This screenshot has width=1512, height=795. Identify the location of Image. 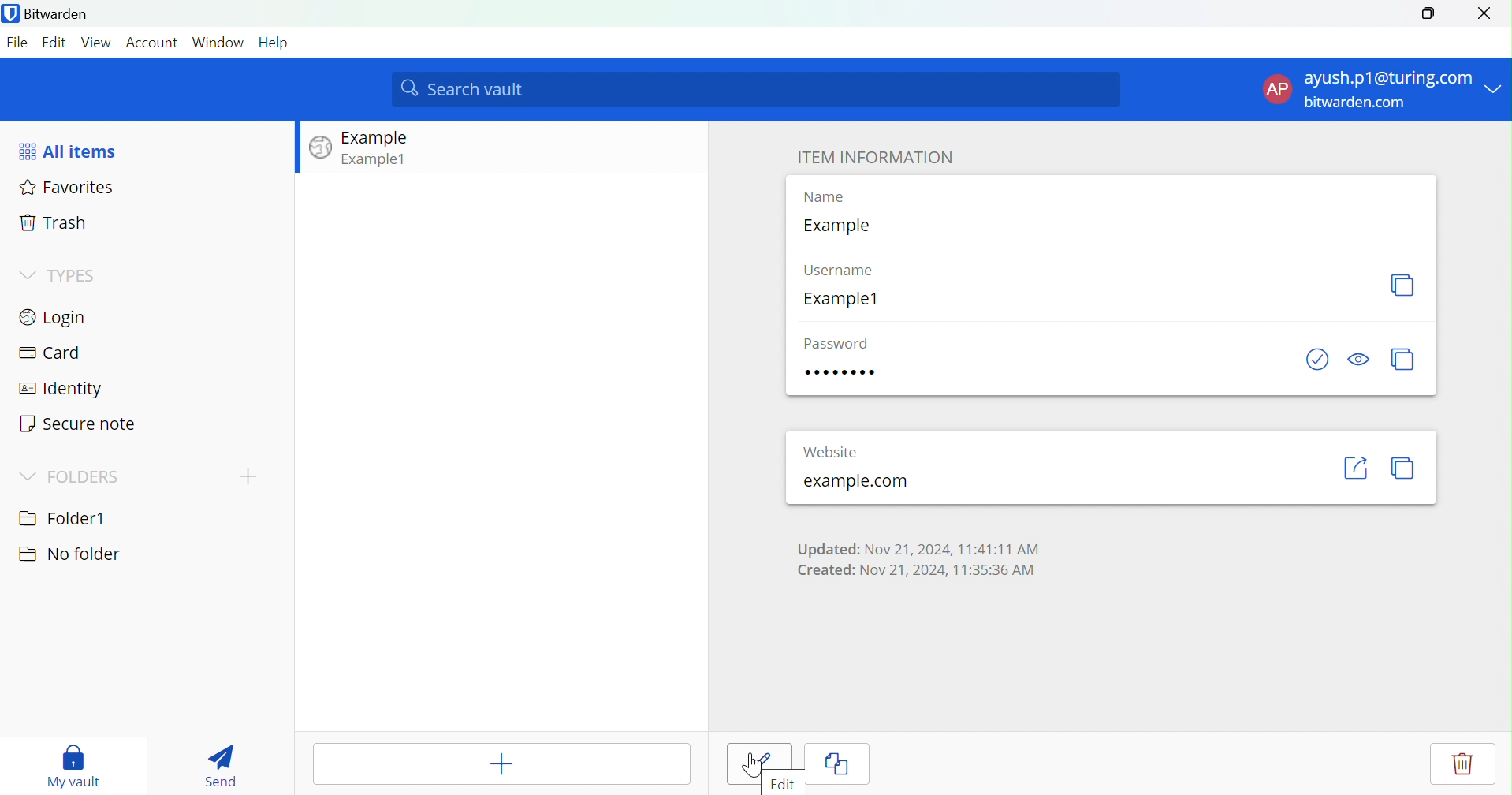
(321, 148).